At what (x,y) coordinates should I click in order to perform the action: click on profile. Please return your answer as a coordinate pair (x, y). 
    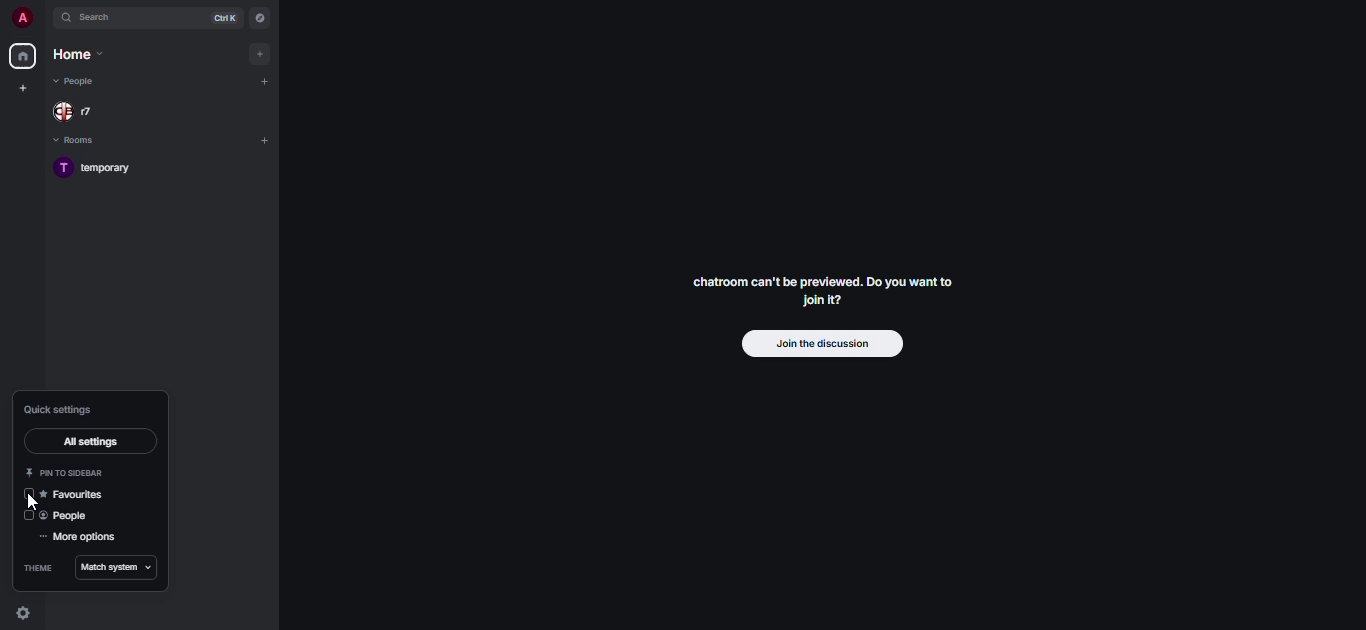
    Looking at the image, I should click on (22, 17).